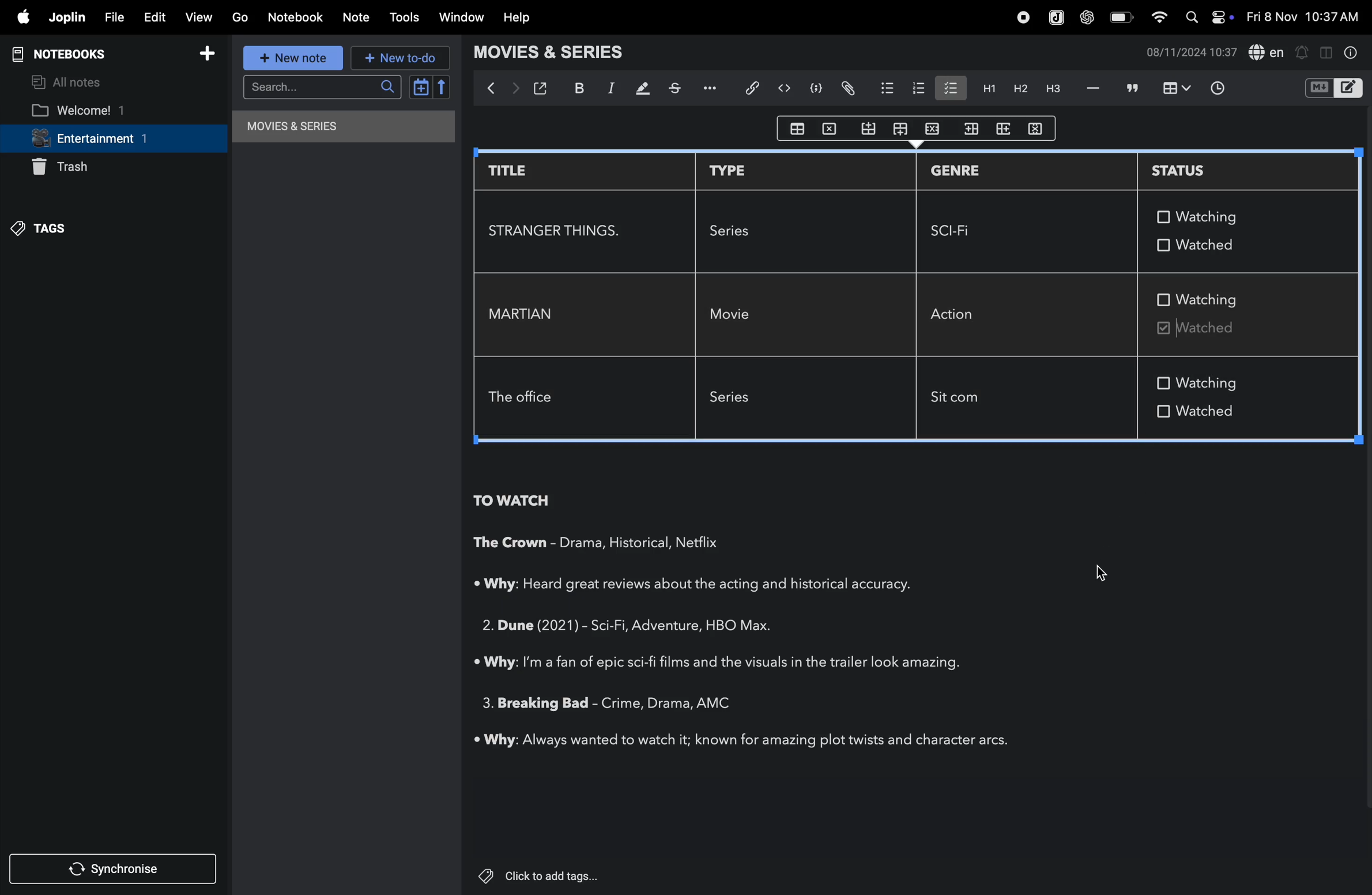 Image resolution: width=1372 pixels, height=895 pixels. What do you see at coordinates (914, 89) in the screenshot?
I see `numbered list` at bounding box center [914, 89].